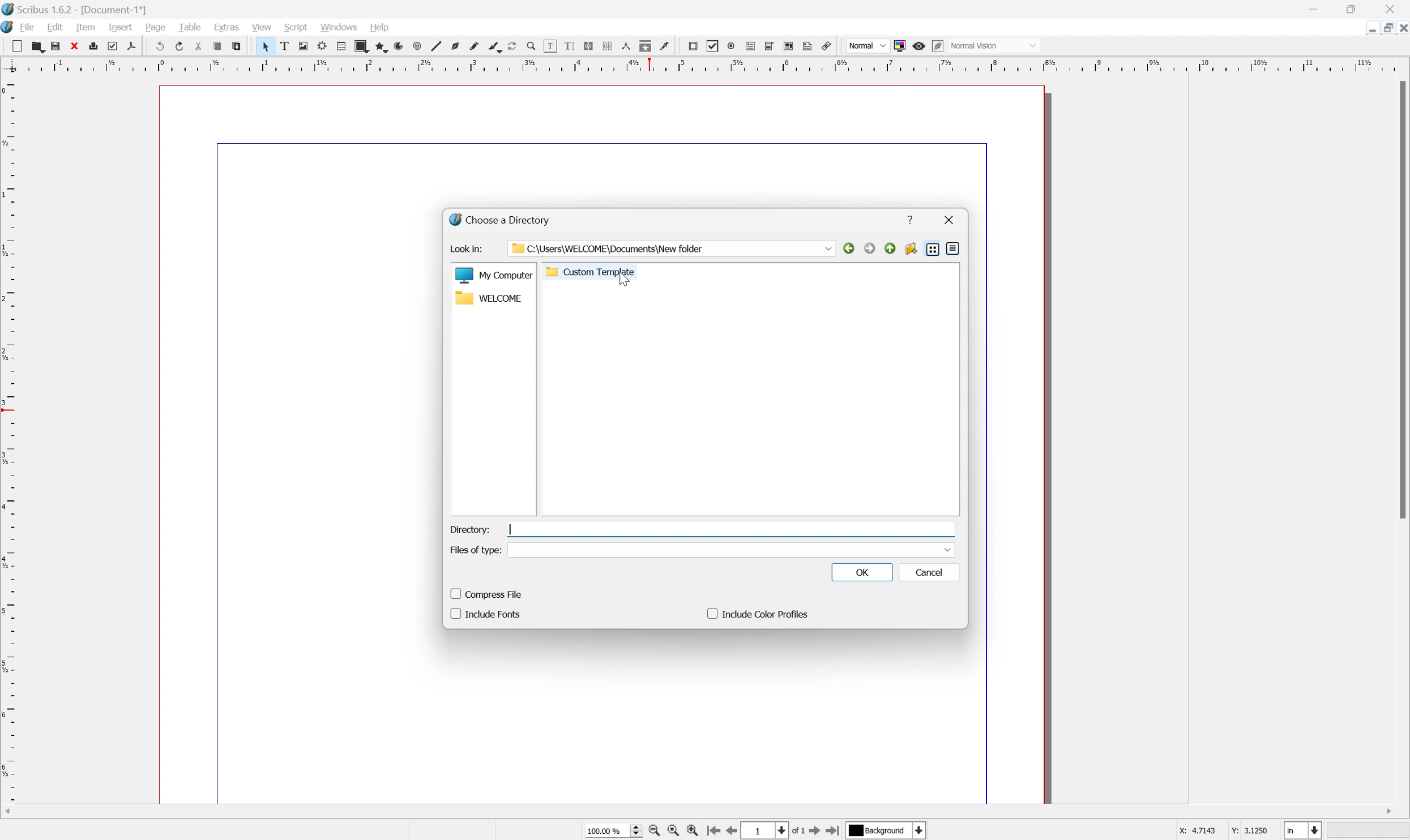 The height and width of the screenshot is (840, 1410). What do you see at coordinates (1392, 9) in the screenshot?
I see `Close` at bounding box center [1392, 9].